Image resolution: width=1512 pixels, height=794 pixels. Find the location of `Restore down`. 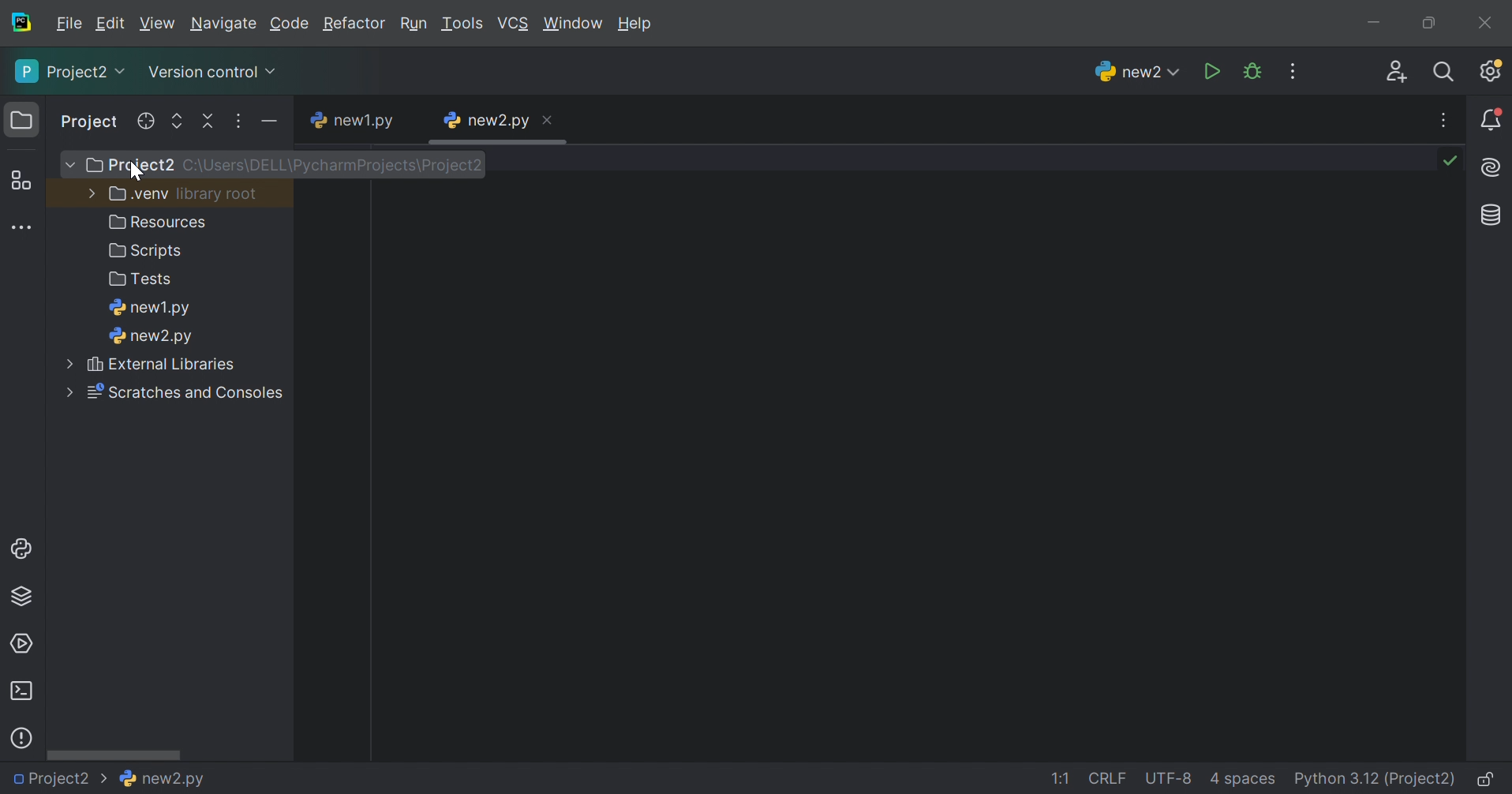

Restore down is located at coordinates (1426, 24).